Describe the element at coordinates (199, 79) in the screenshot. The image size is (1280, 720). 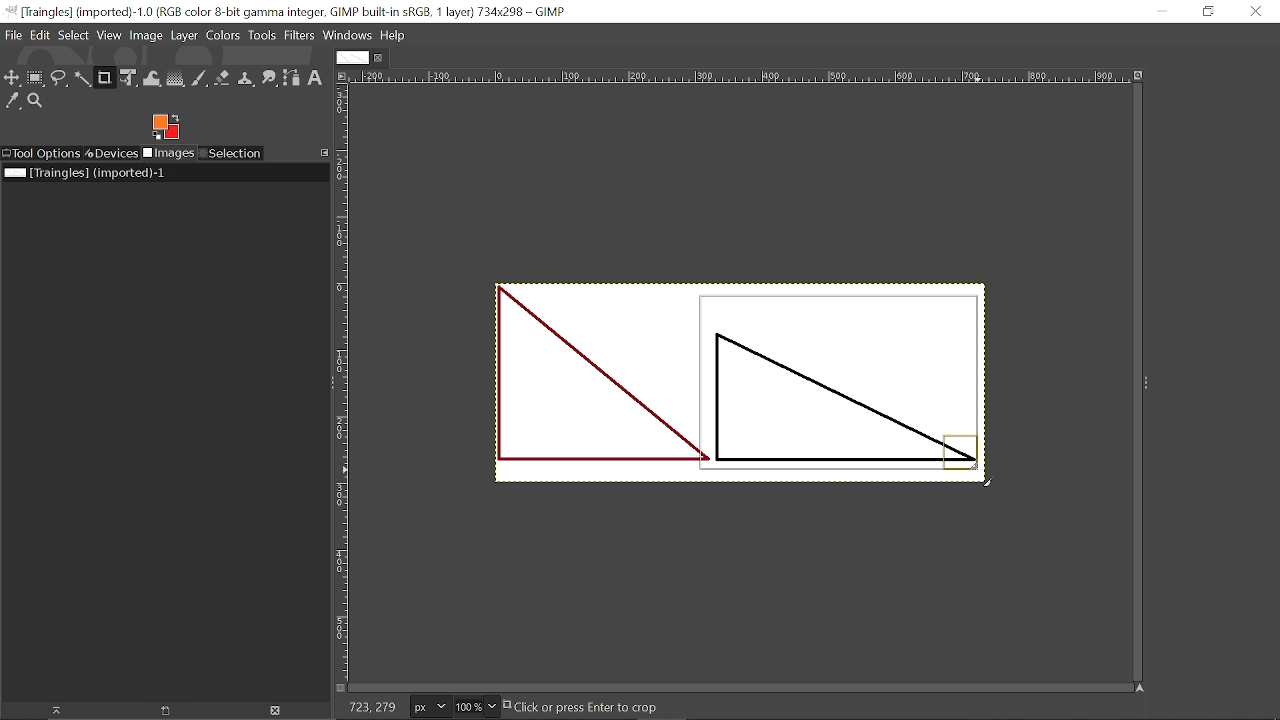
I see `Paintbrush tool` at that location.